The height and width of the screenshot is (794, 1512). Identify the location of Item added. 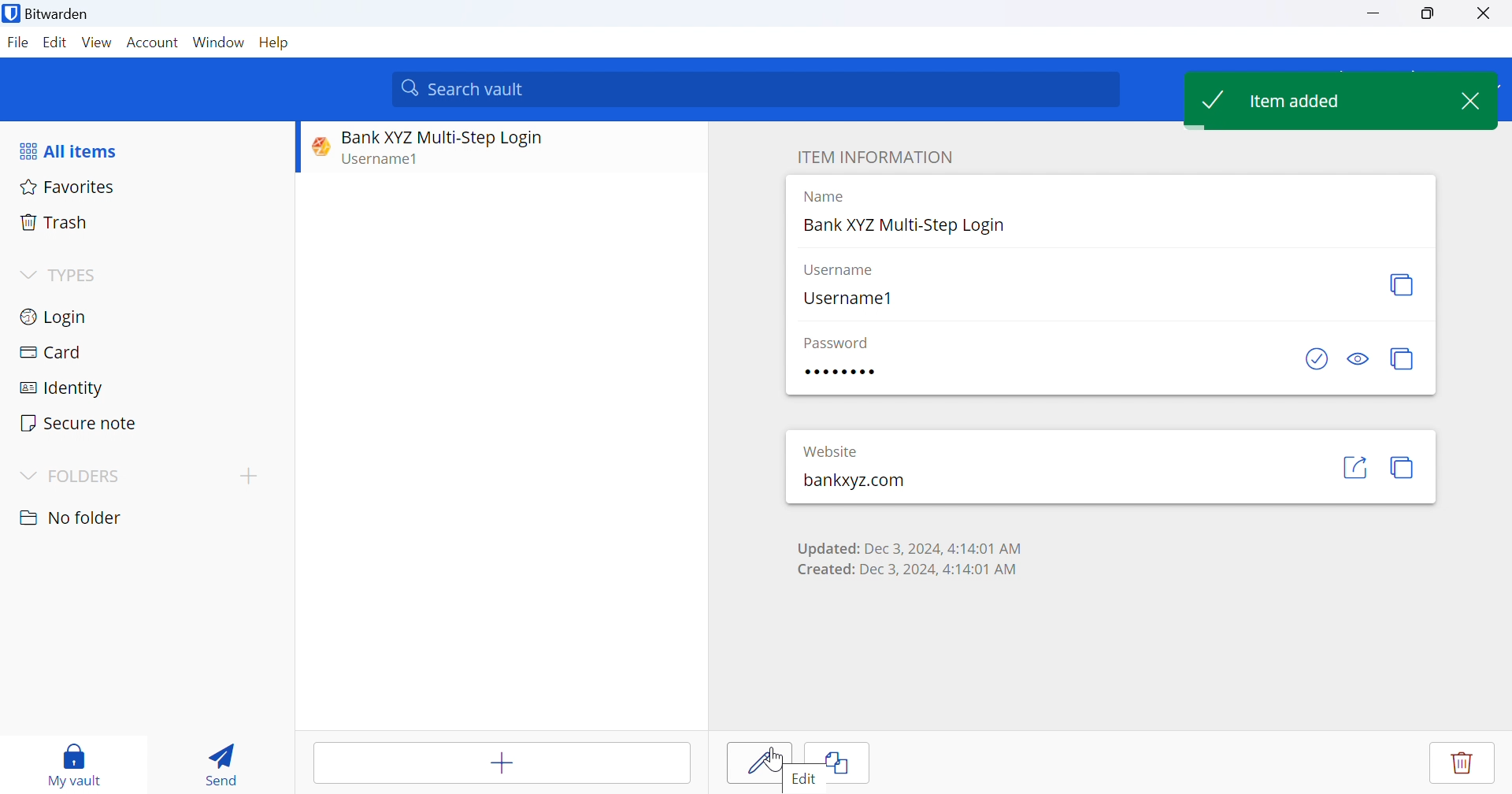
(1321, 101).